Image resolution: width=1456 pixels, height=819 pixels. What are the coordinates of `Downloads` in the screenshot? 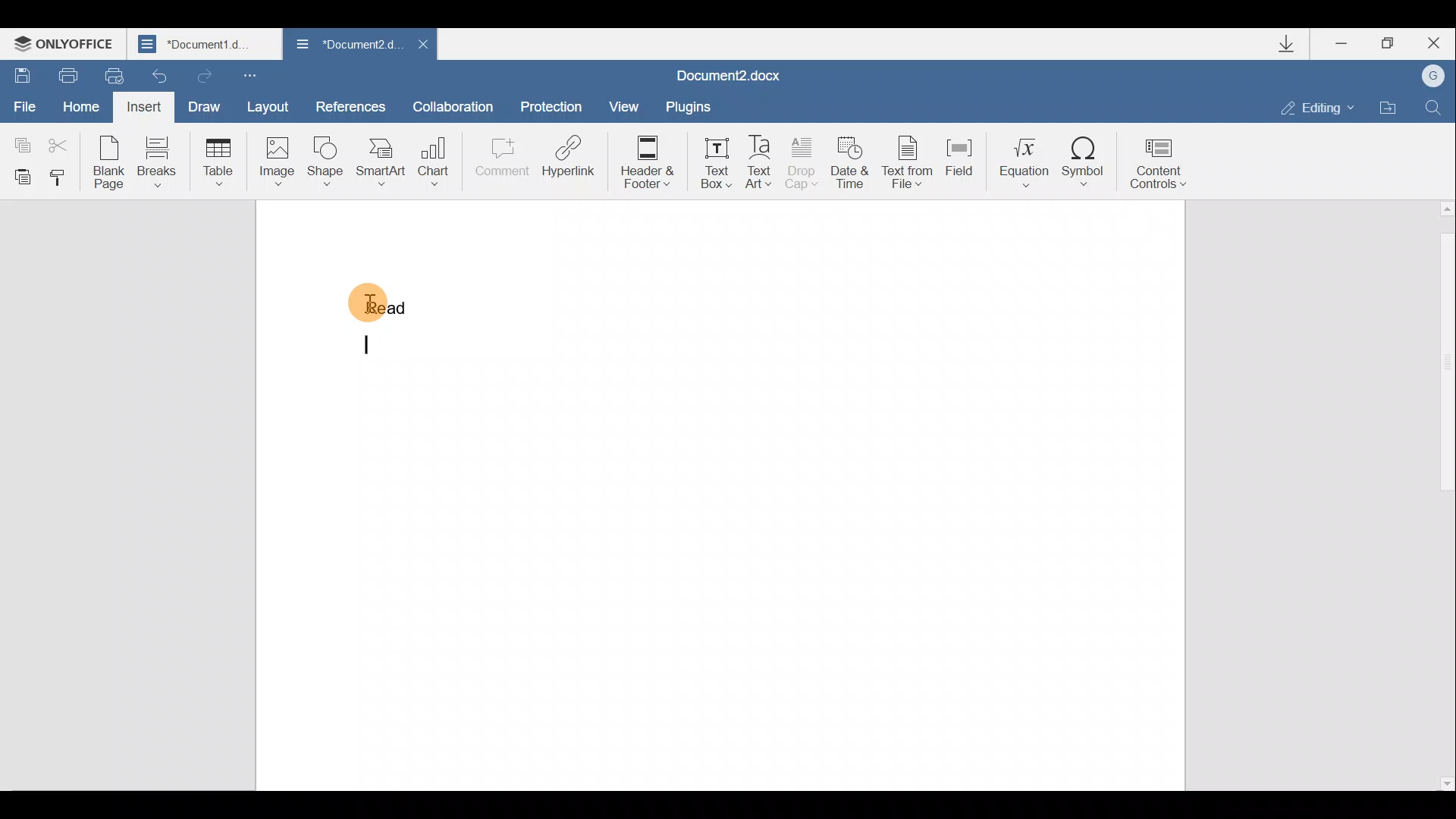 It's located at (1295, 47).